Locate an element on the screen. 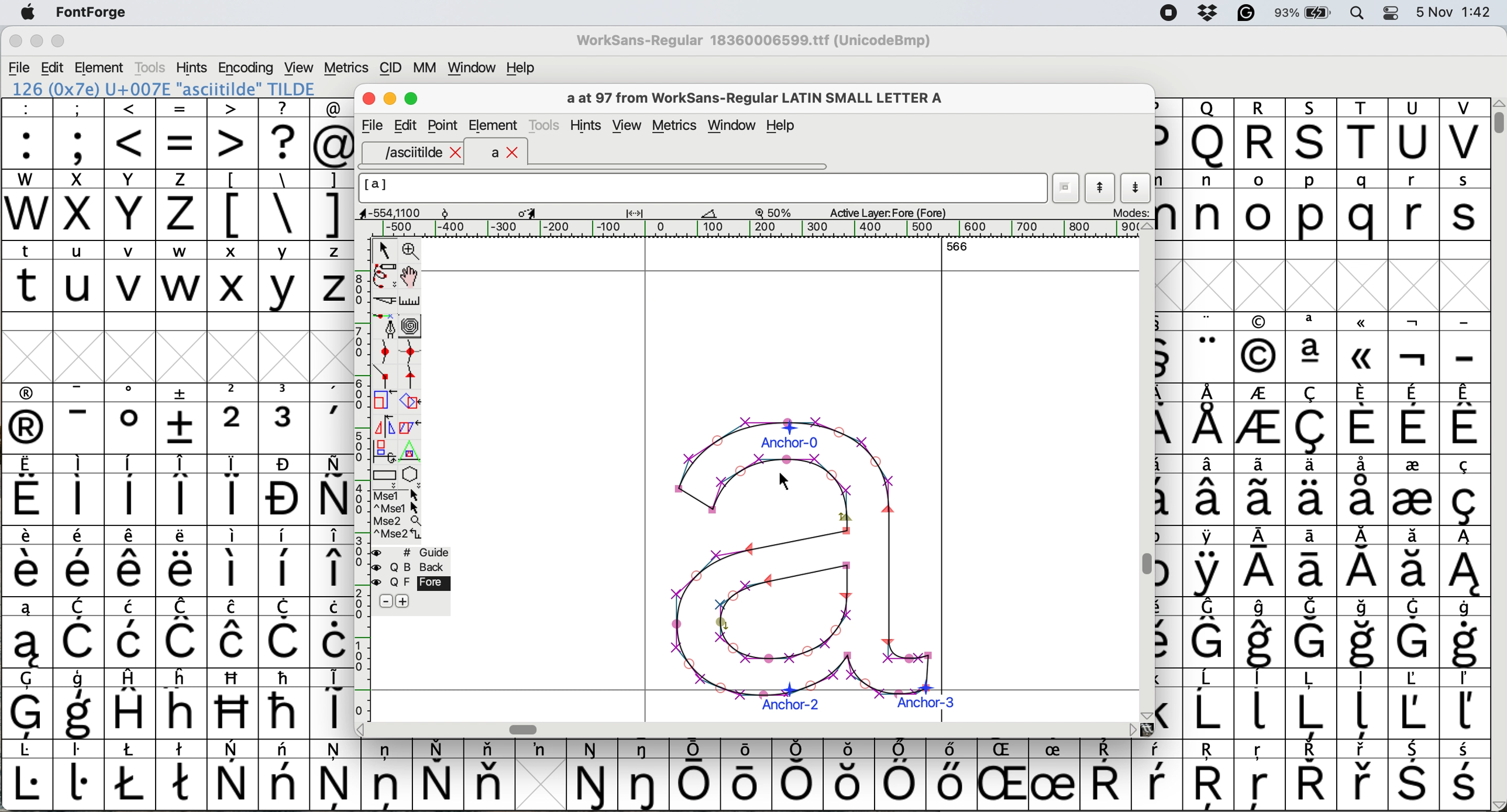  x is located at coordinates (232, 276).